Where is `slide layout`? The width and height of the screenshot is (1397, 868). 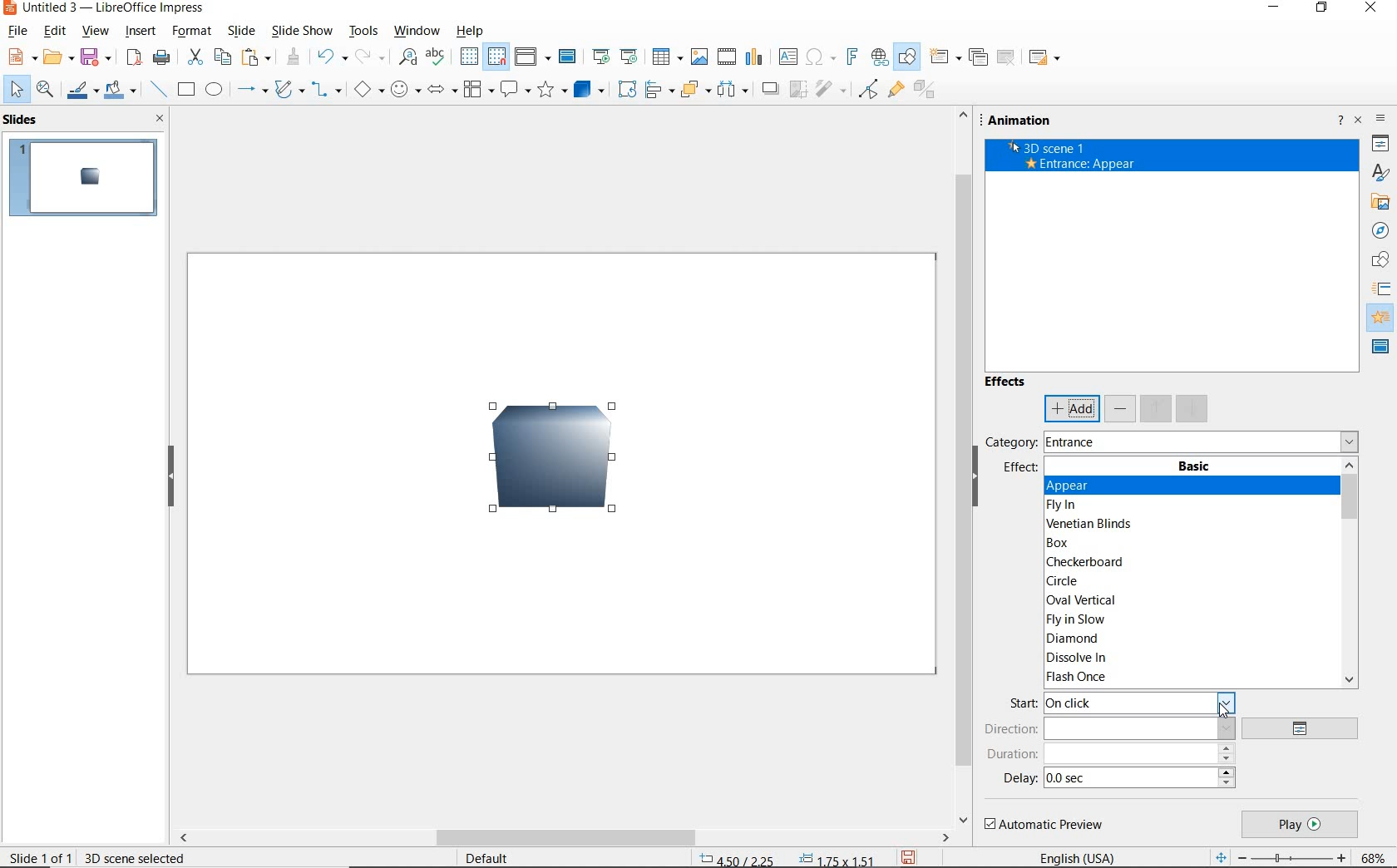 slide layout is located at coordinates (1046, 58).